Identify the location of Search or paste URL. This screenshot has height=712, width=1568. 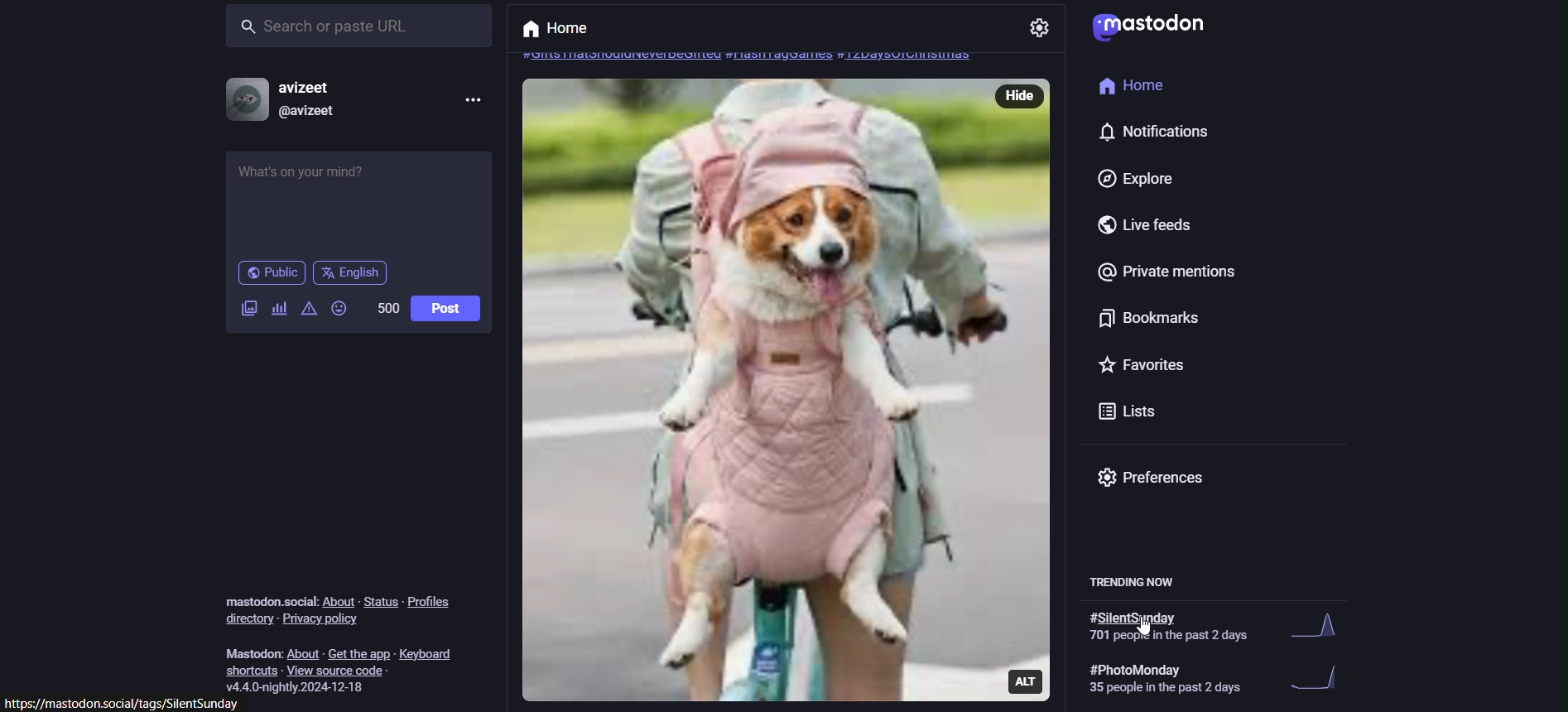
(358, 26).